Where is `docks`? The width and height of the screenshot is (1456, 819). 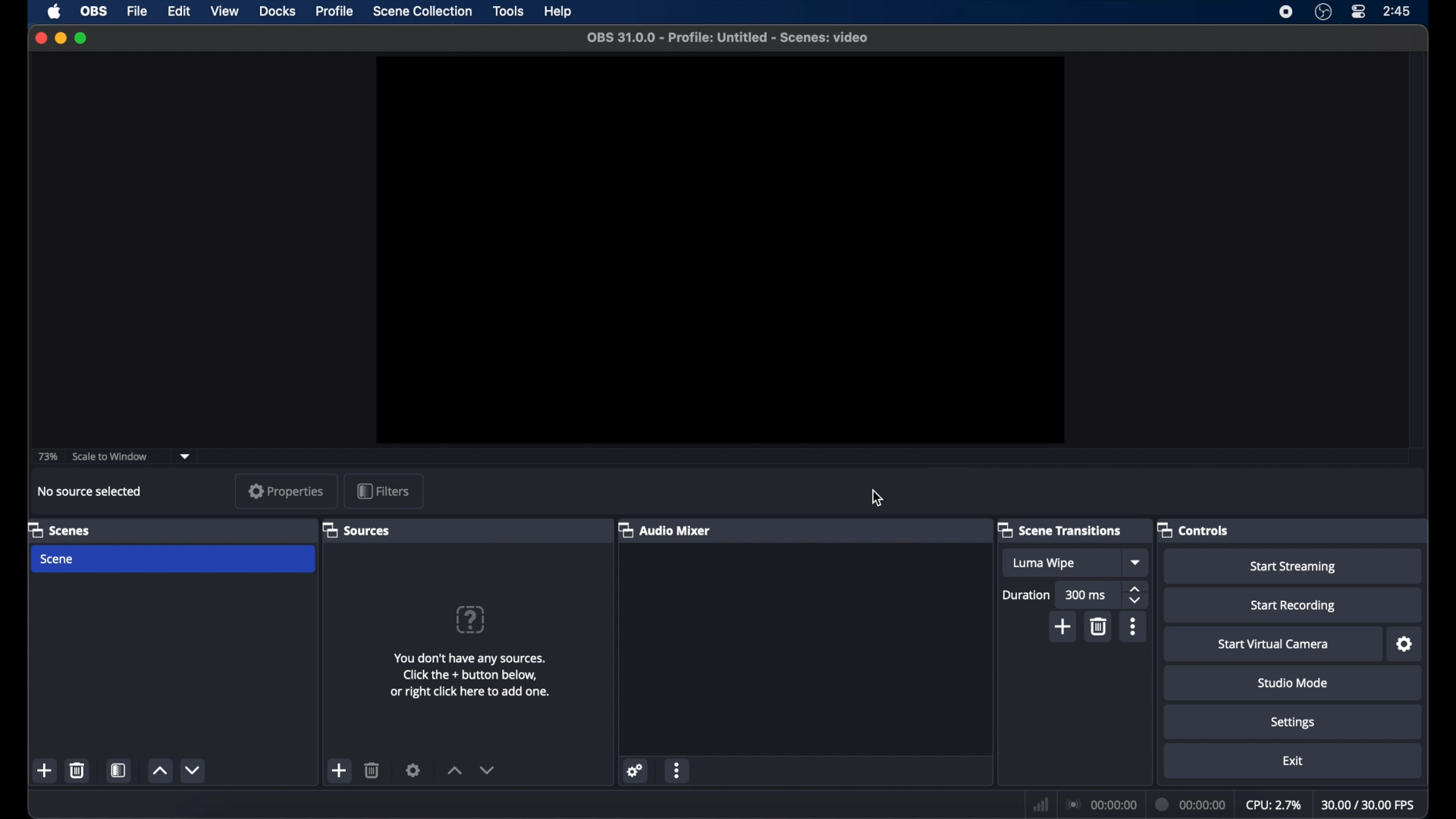
docks is located at coordinates (278, 12).